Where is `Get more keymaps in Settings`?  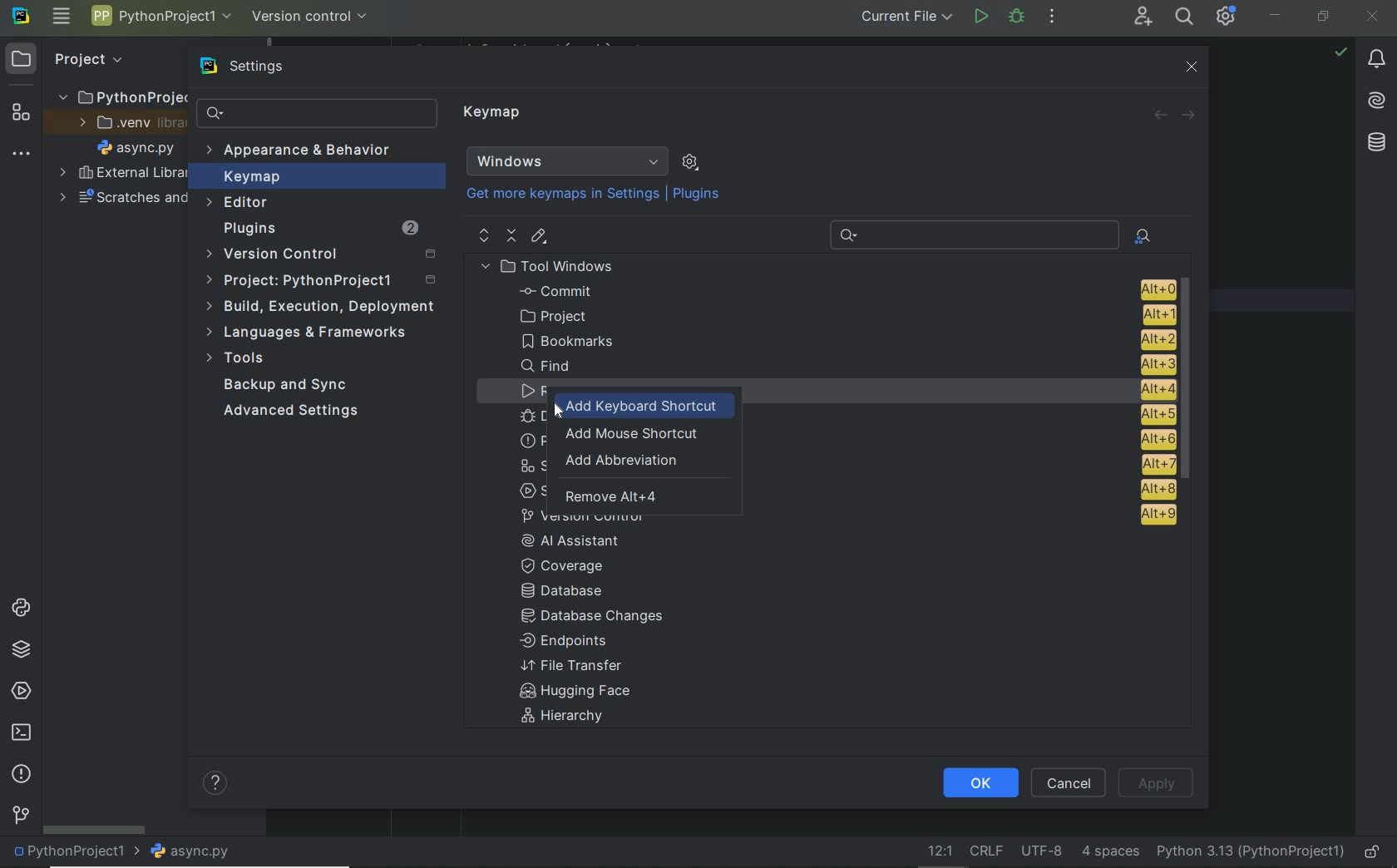
Get more keymaps in Settings is located at coordinates (555, 195).